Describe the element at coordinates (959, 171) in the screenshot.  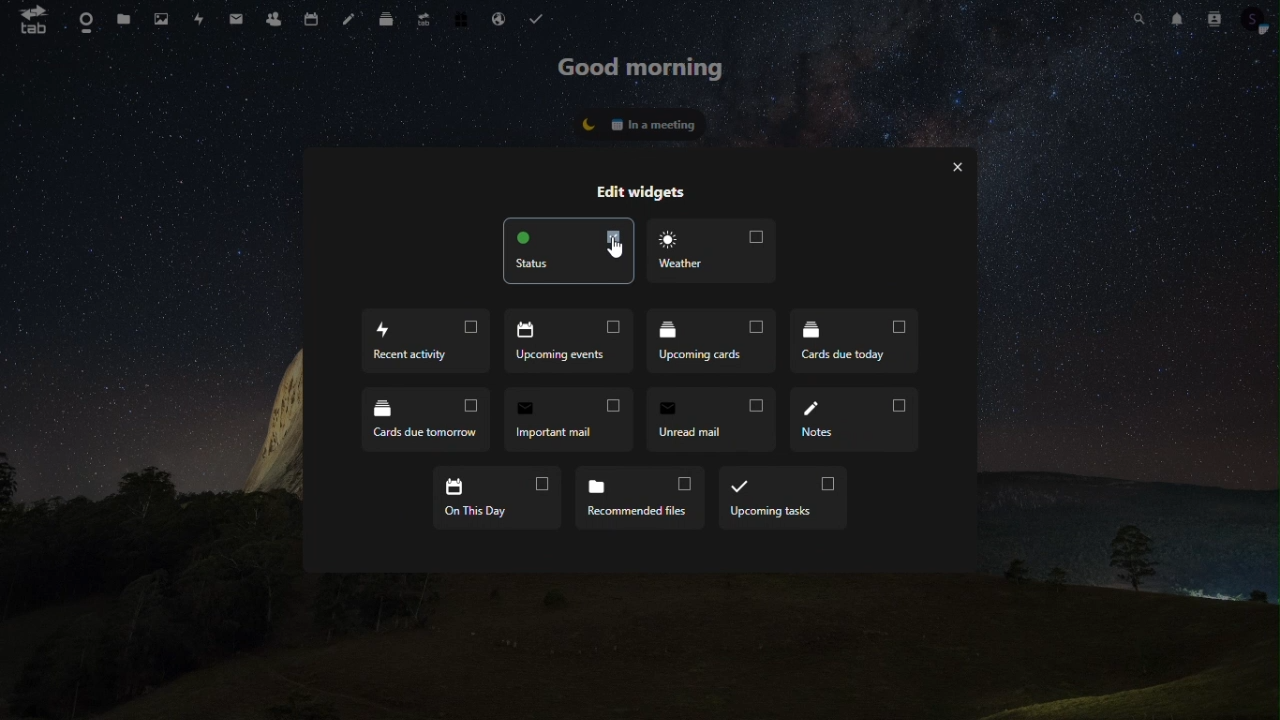
I see `exit` at that location.